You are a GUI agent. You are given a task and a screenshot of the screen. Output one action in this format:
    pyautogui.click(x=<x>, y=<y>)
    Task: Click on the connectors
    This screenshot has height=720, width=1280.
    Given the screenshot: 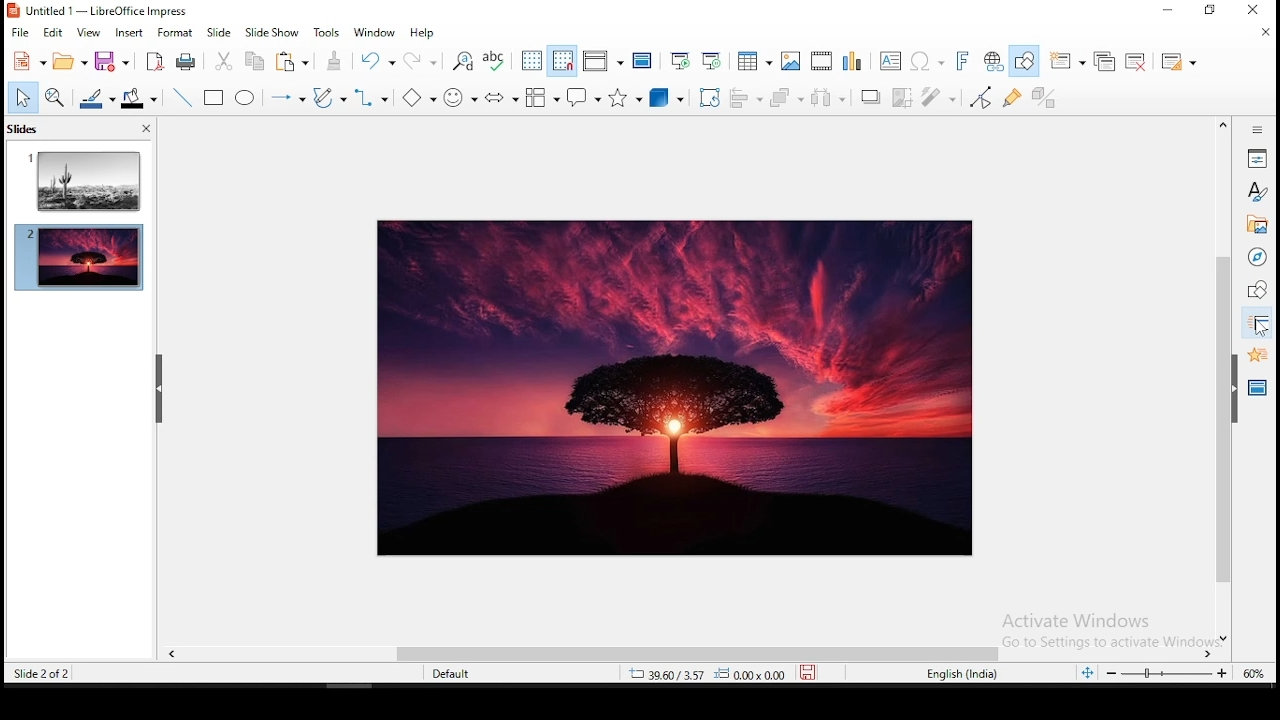 What is the action you would take?
    pyautogui.click(x=372, y=99)
    